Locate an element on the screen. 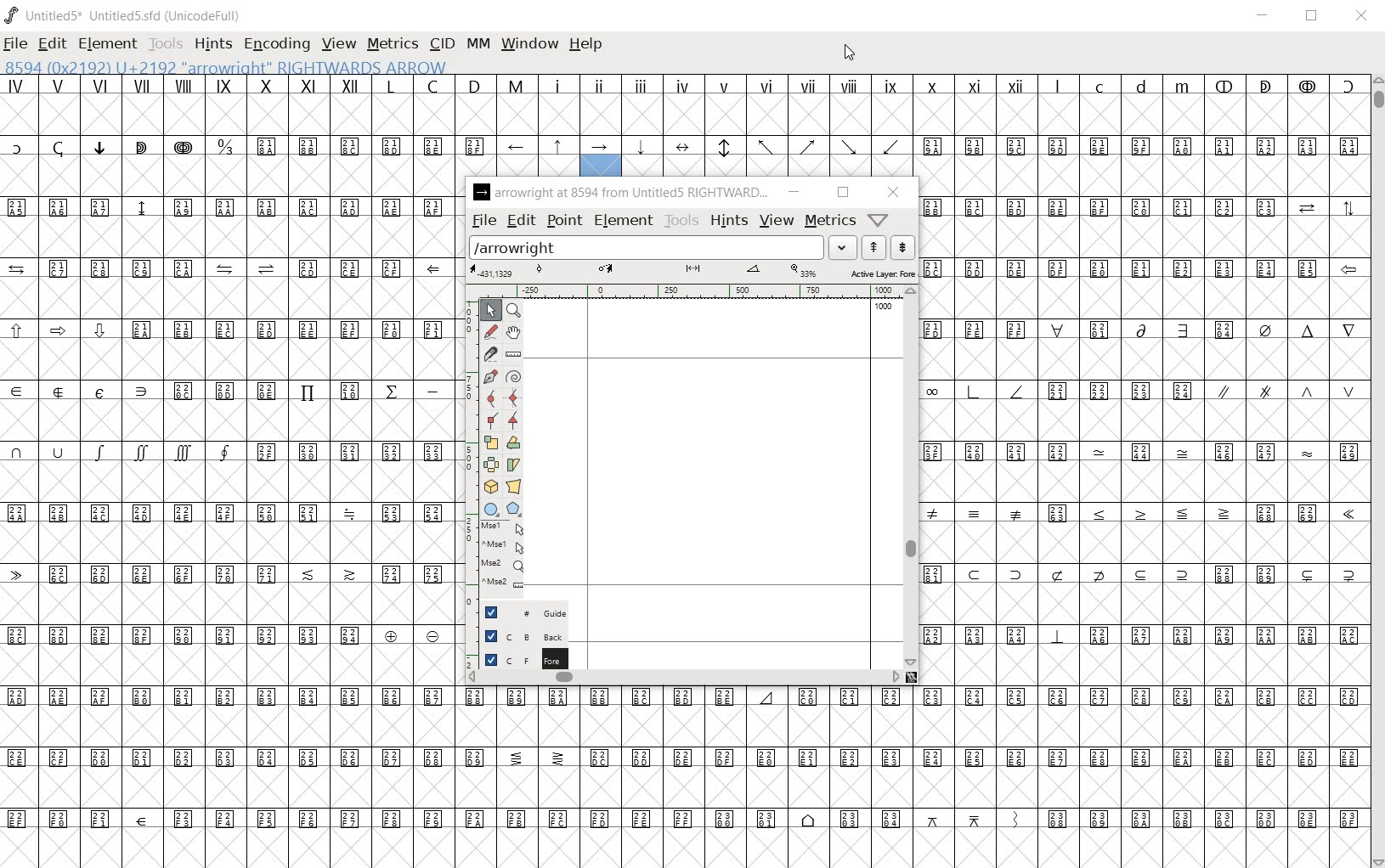  ELEMENT is located at coordinates (109, 43).